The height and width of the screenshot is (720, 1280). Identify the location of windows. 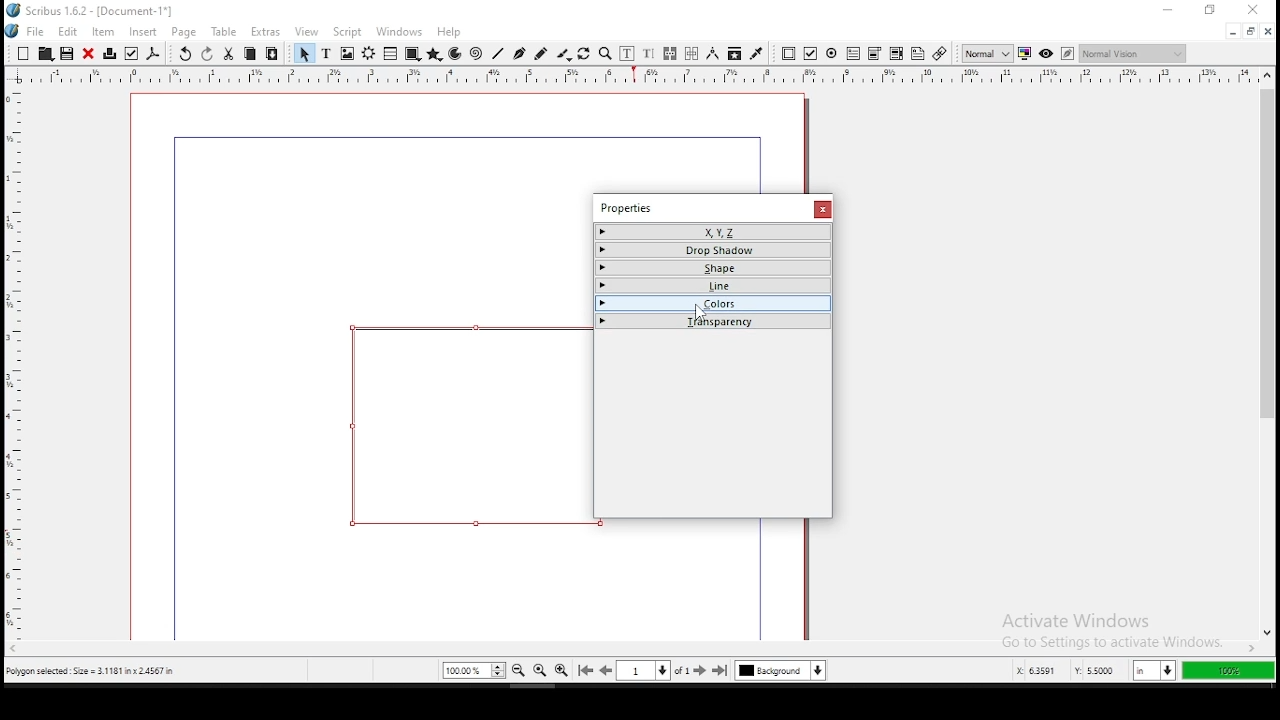
(399, 32).